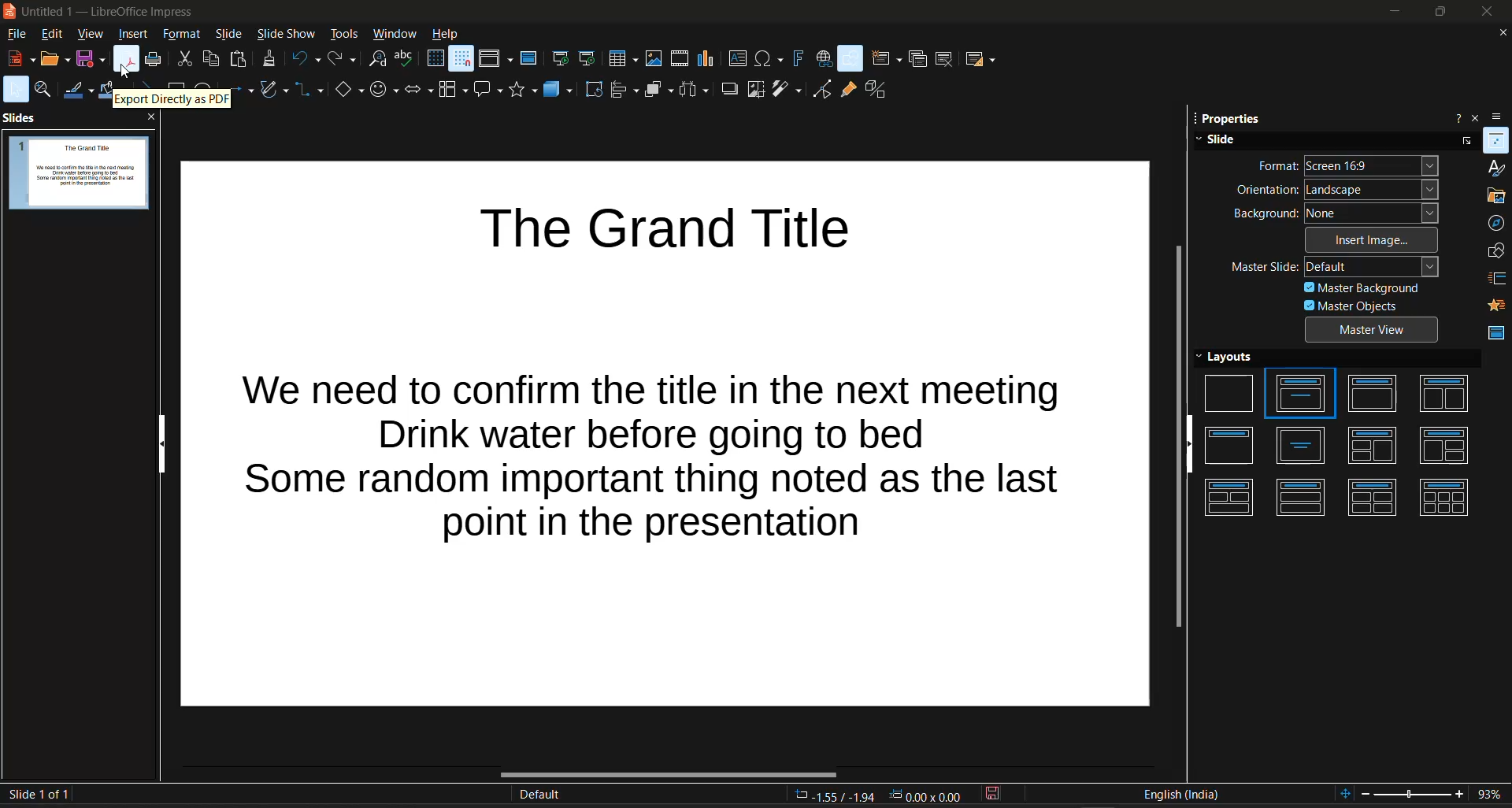 The height and width of the screenshot is (808, 1512). What do you see at coordinates (529, 57) in the screenshot?
I see `master slide` at bounding box center [529, 57].